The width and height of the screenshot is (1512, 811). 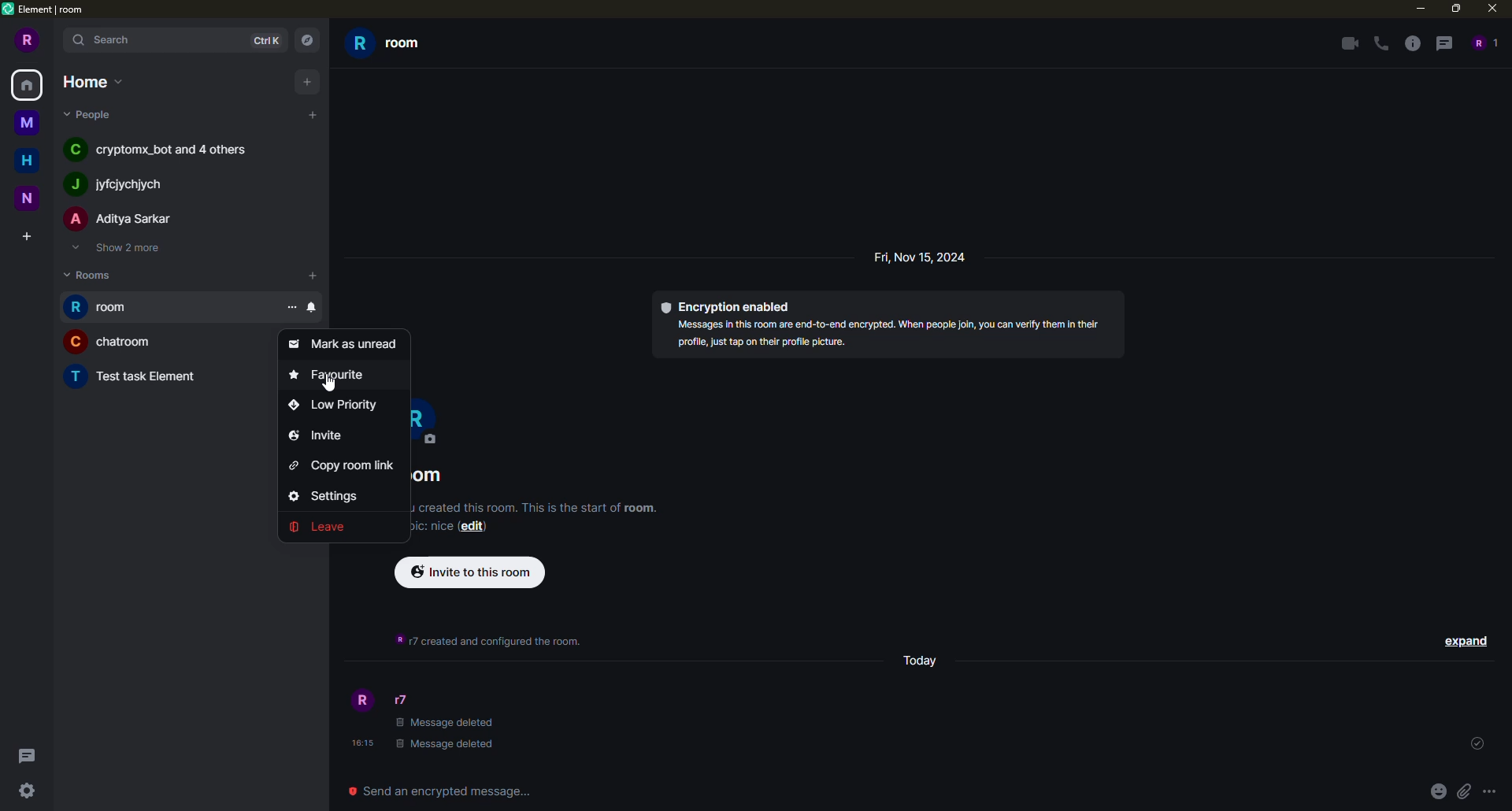 I want to click on add, so click(x=307, y=80).